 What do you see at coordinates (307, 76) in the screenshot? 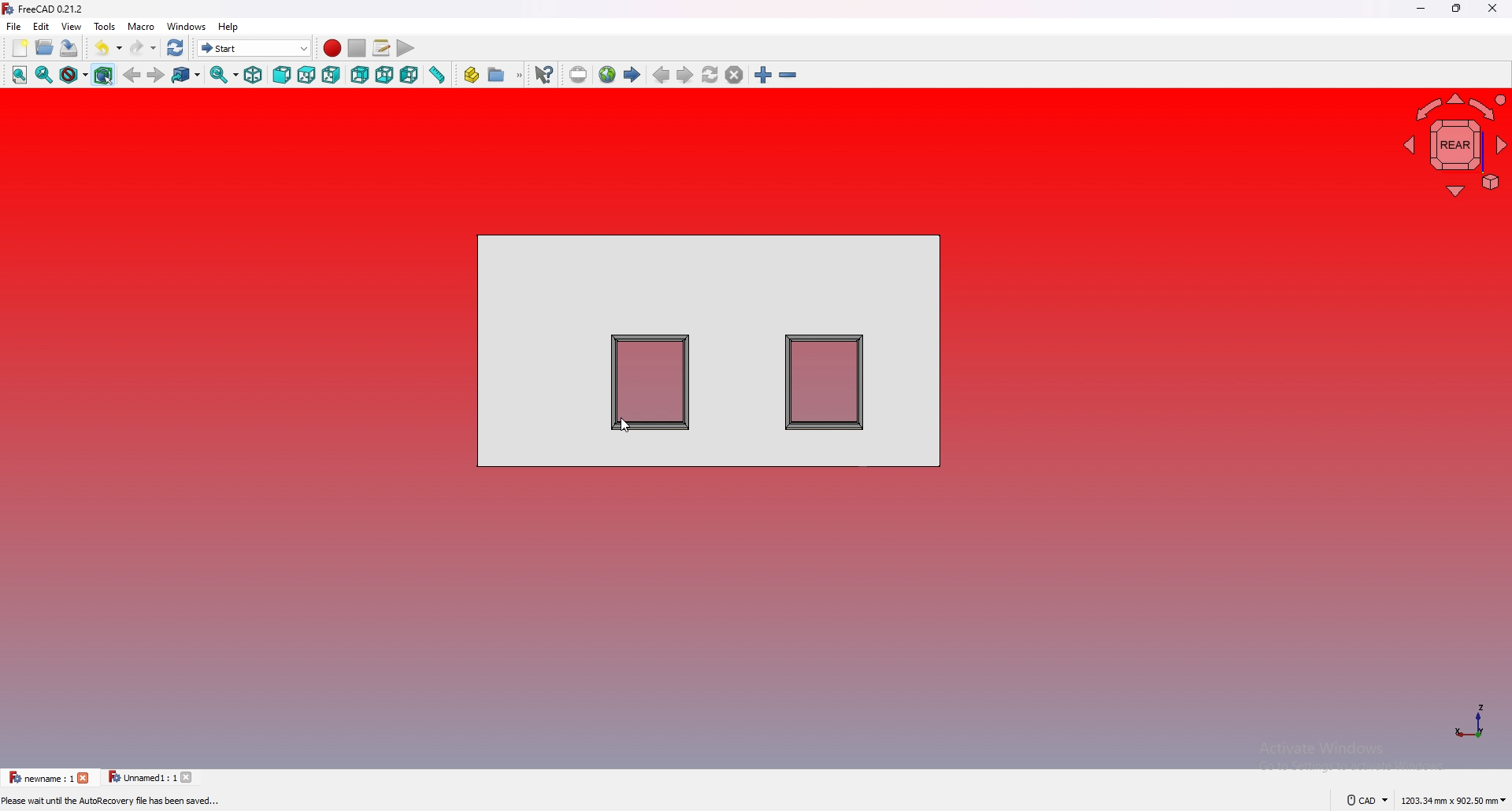
I see `top` at bounding box center [307, 76].